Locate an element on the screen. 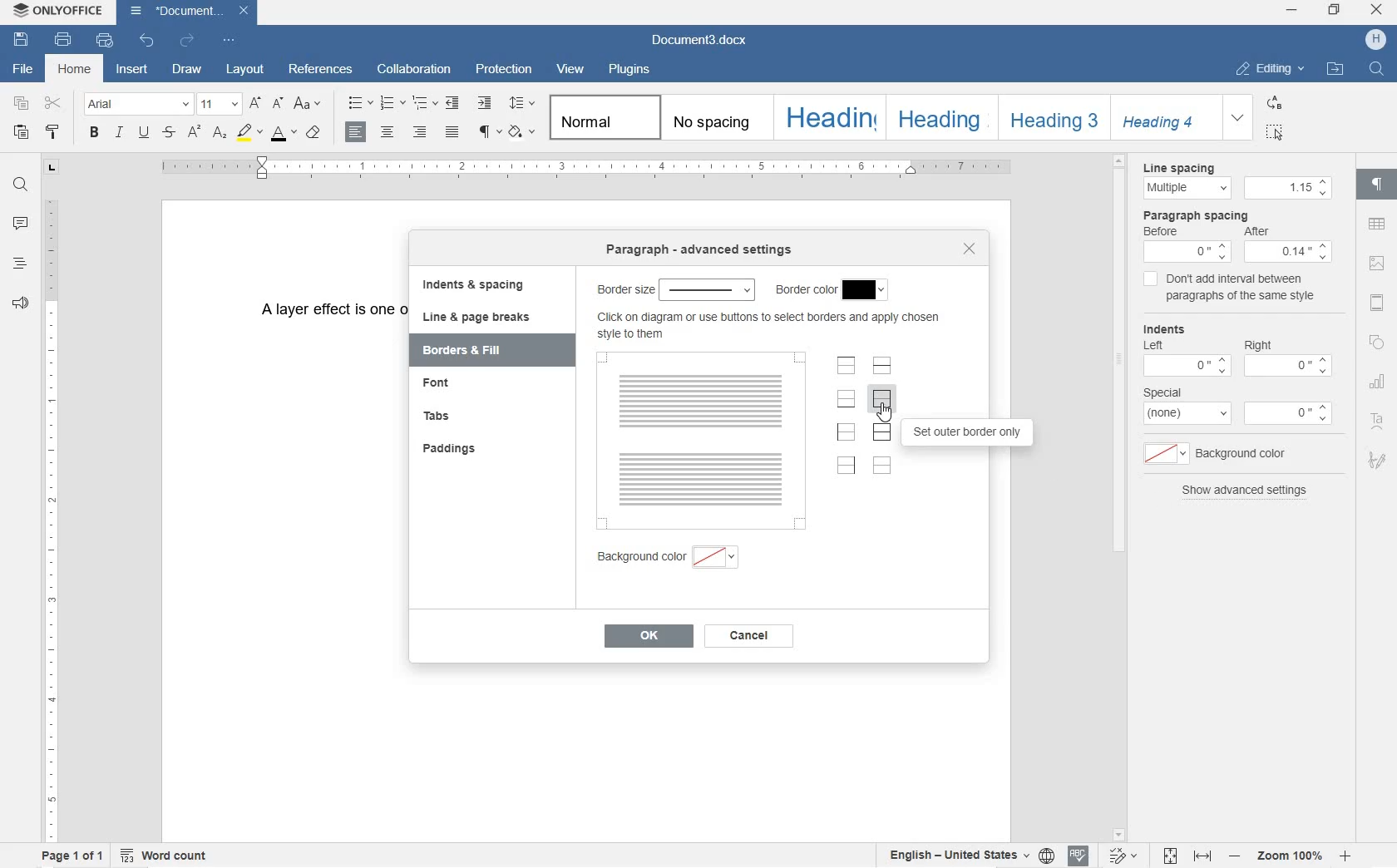 This screenshot has width=1397, height=868. ALIGN LEFT is located at coordinates (358, 131).